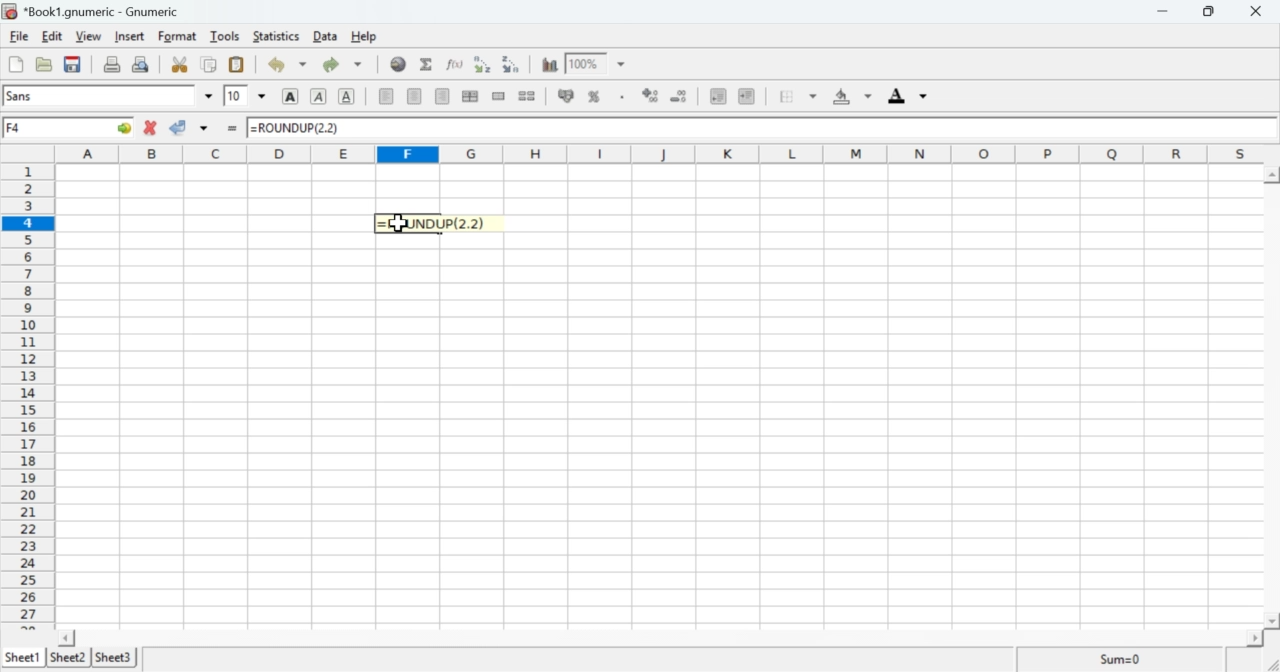 The width and height of the screenshot is (1280, 672). What do you see at coordinates (661, 154) in the screenshot?
I see `columns` at bounding box center [661, 154].